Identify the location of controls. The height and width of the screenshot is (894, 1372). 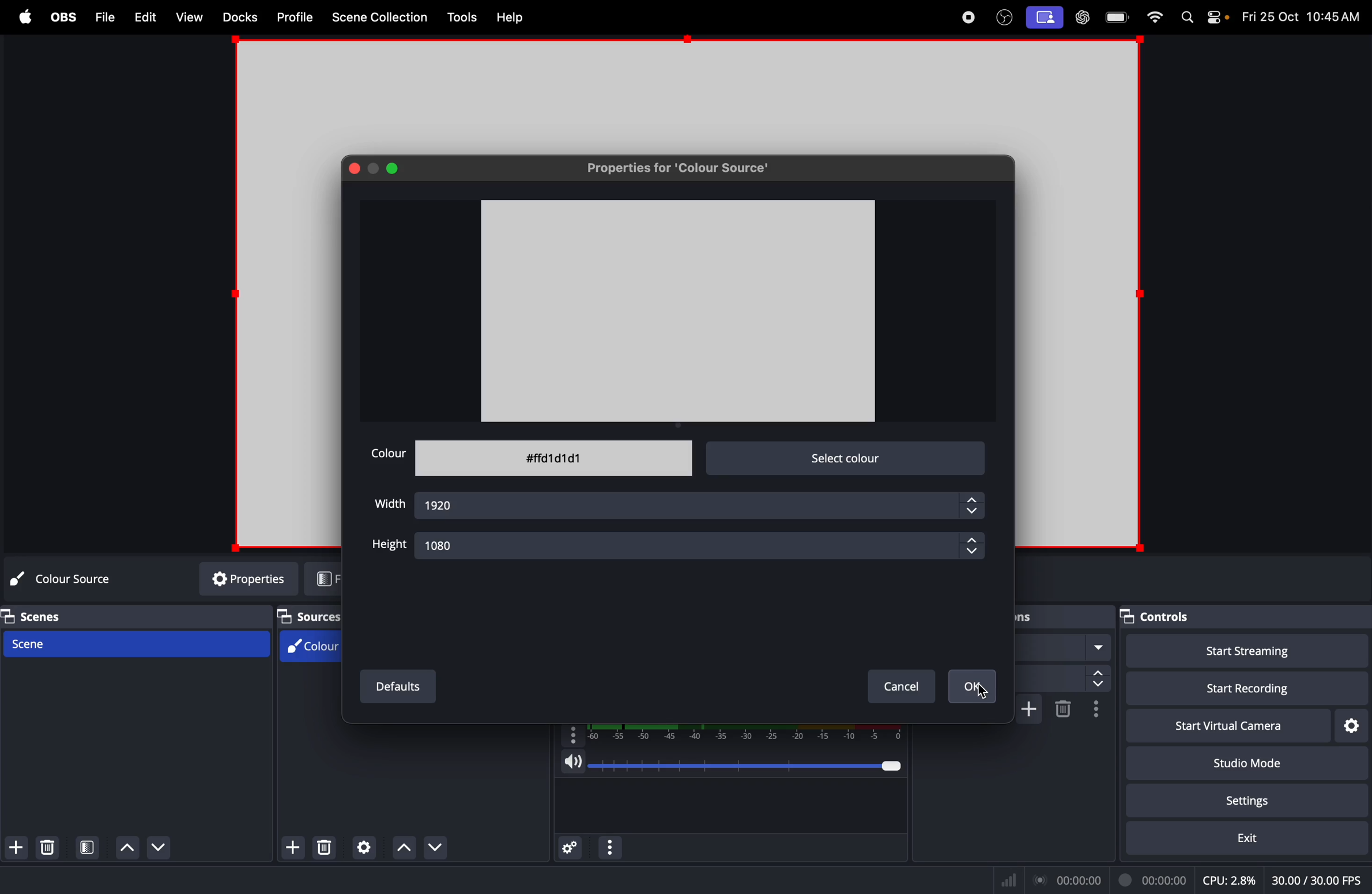
(1155, 617).